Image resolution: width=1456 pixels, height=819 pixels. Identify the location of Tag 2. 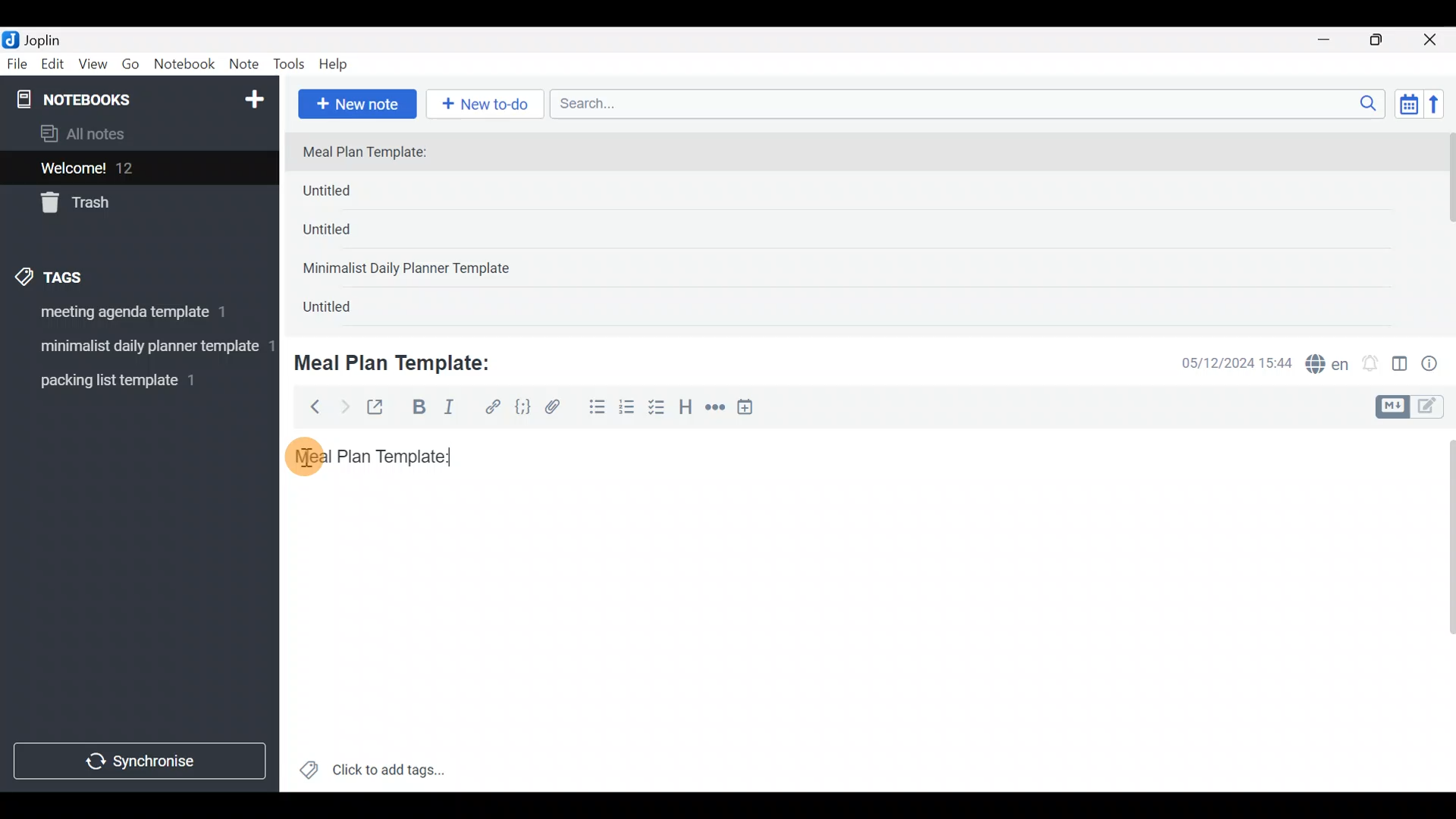
(139, 348).